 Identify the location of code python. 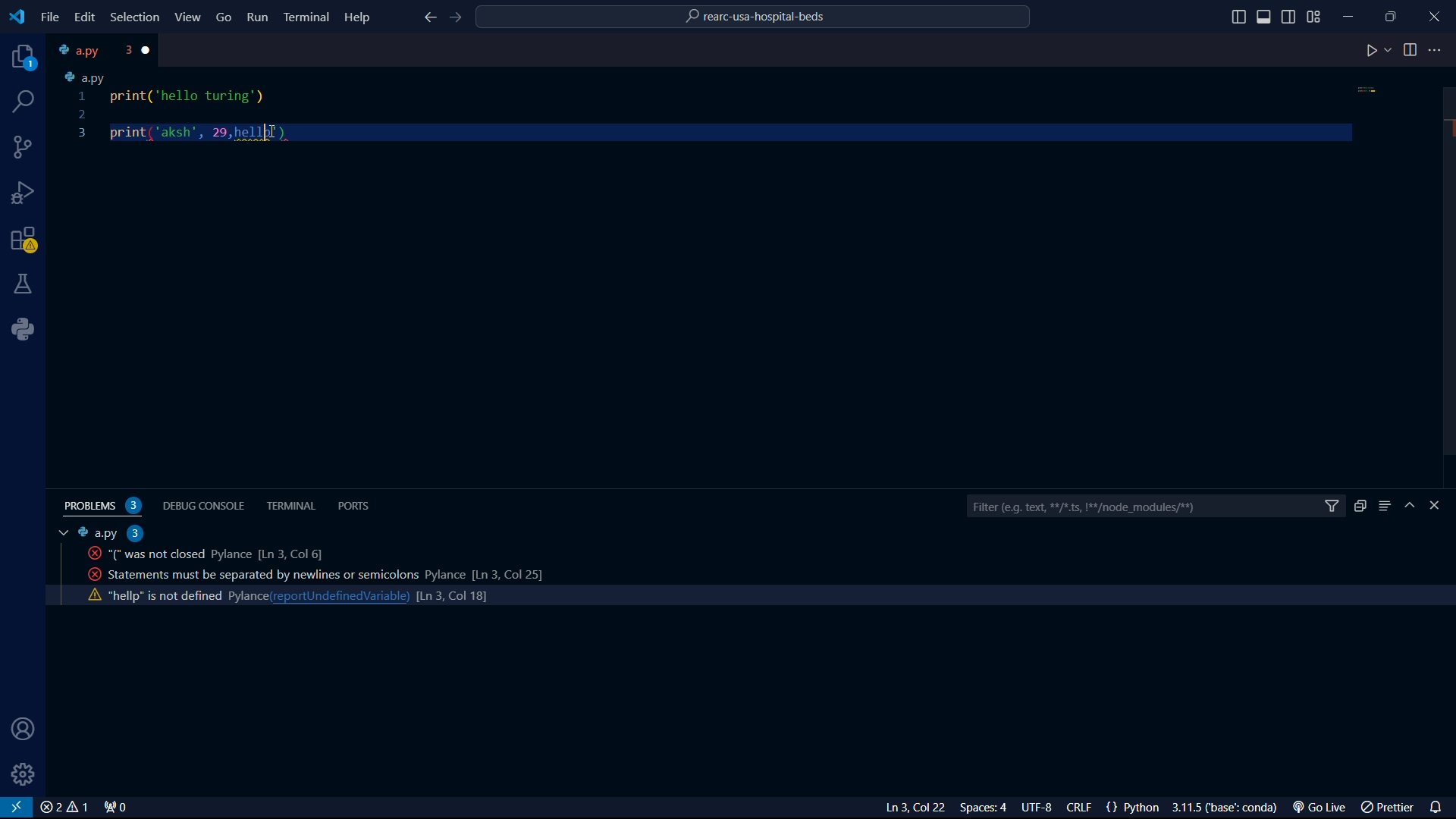
(717, 108).